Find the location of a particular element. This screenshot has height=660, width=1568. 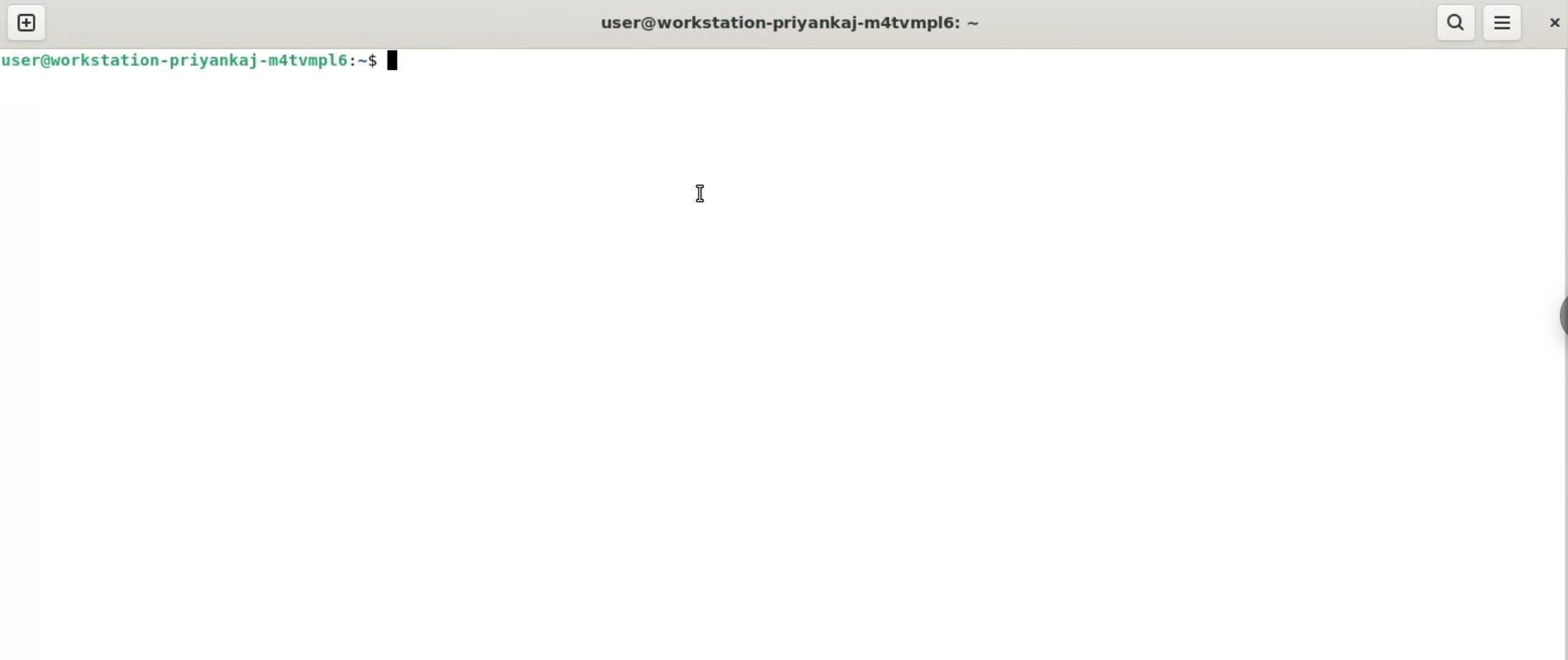

menu is located at coordinates (1503, 23).